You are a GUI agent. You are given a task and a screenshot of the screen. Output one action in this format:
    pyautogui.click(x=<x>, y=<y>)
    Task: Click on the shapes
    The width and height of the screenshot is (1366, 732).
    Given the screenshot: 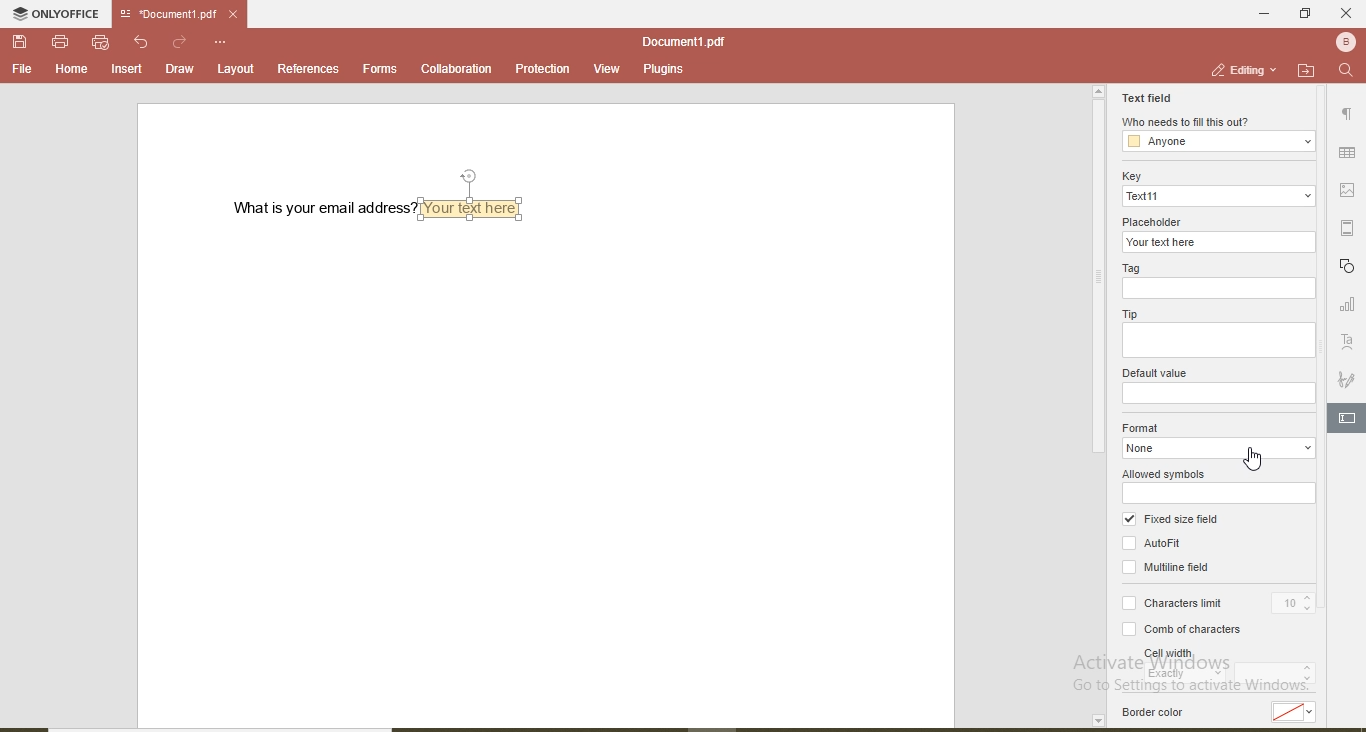 What is the action you would take?
    pyautogui.click(x=1349, y=267)
    